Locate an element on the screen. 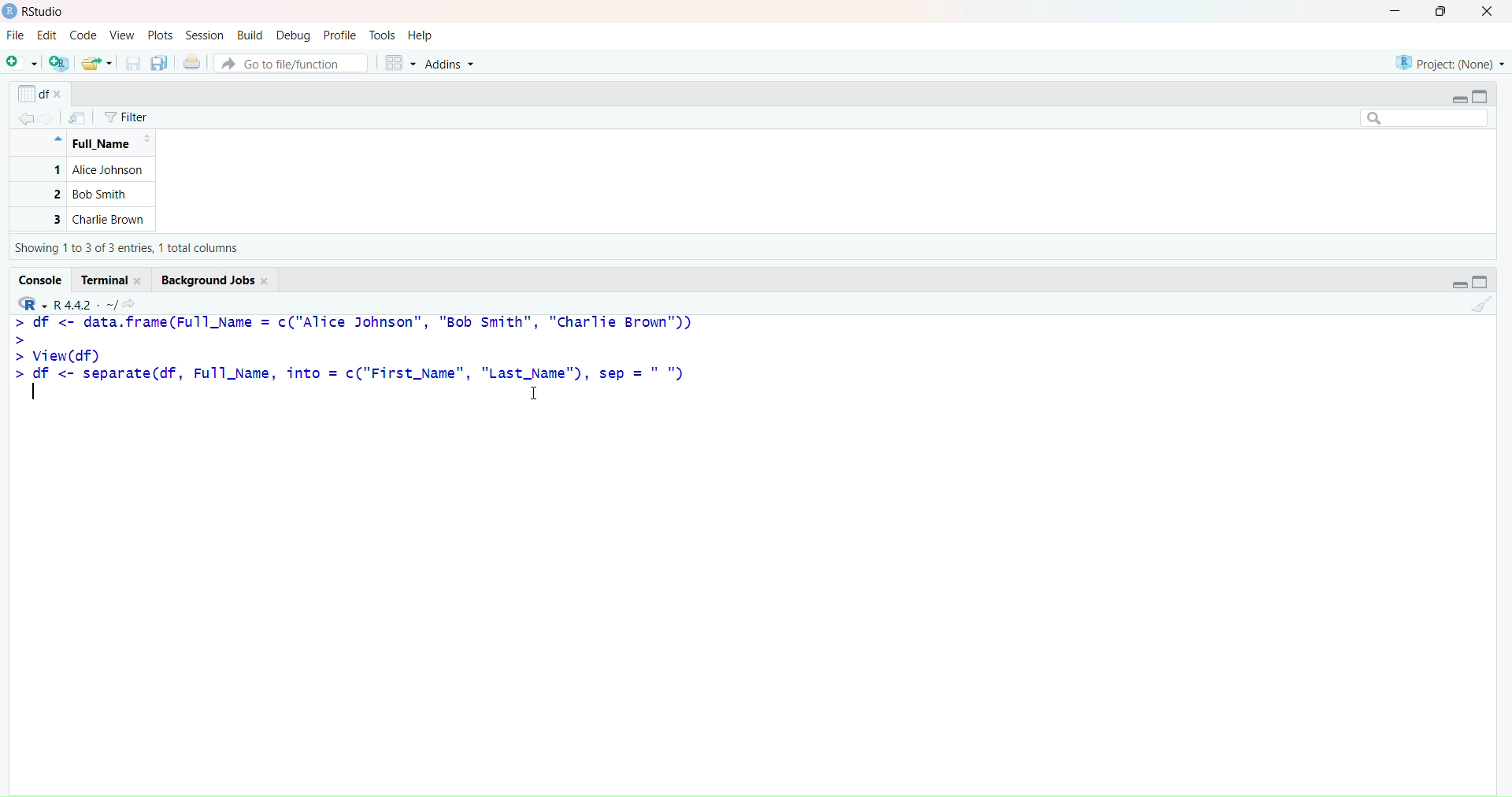 This screenshot has width=1512, height=797. Background Jobs is located at coordinates (216, 279).